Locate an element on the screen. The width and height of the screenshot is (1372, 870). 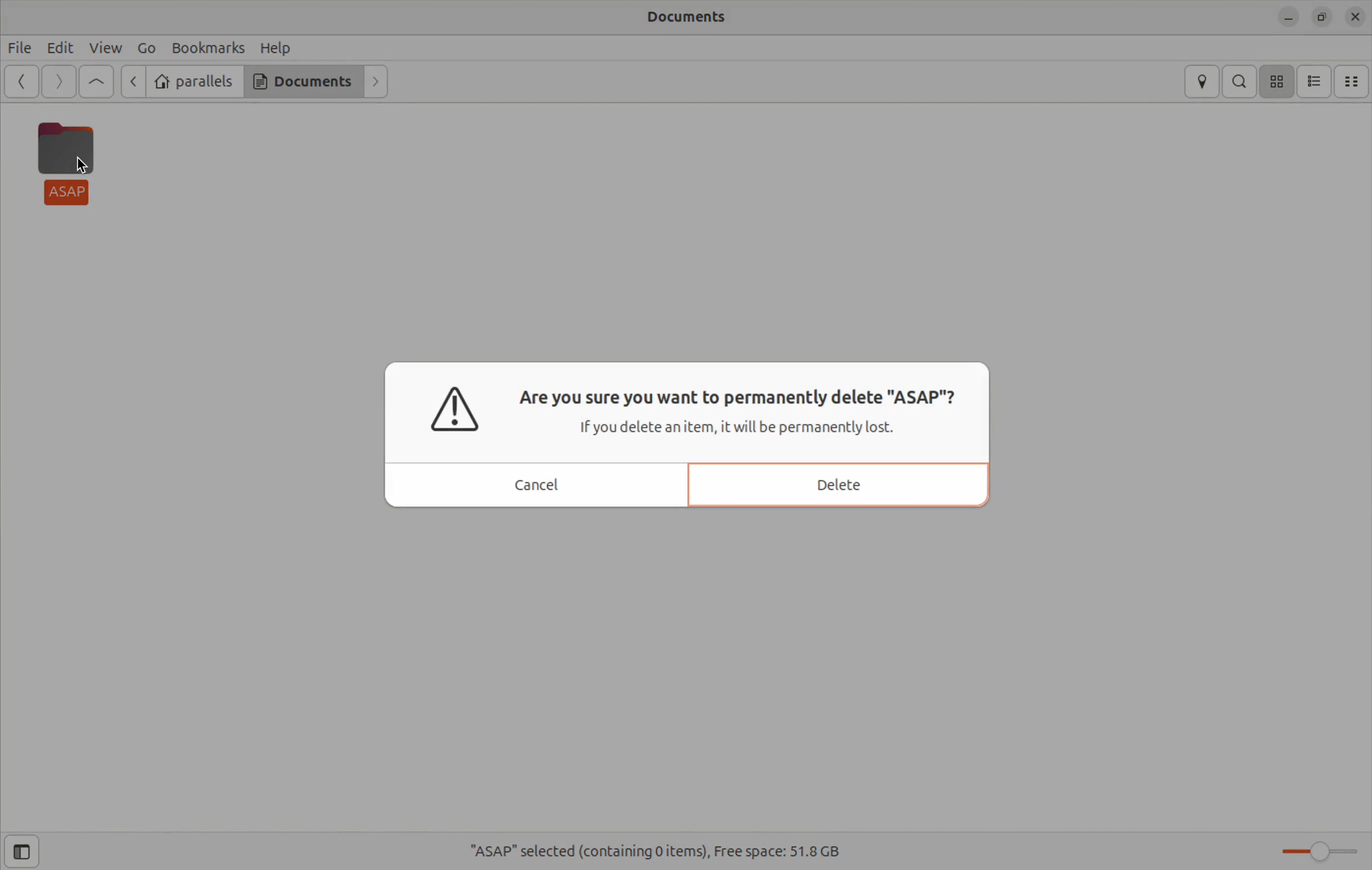
back is located at coordinates (132, 81).